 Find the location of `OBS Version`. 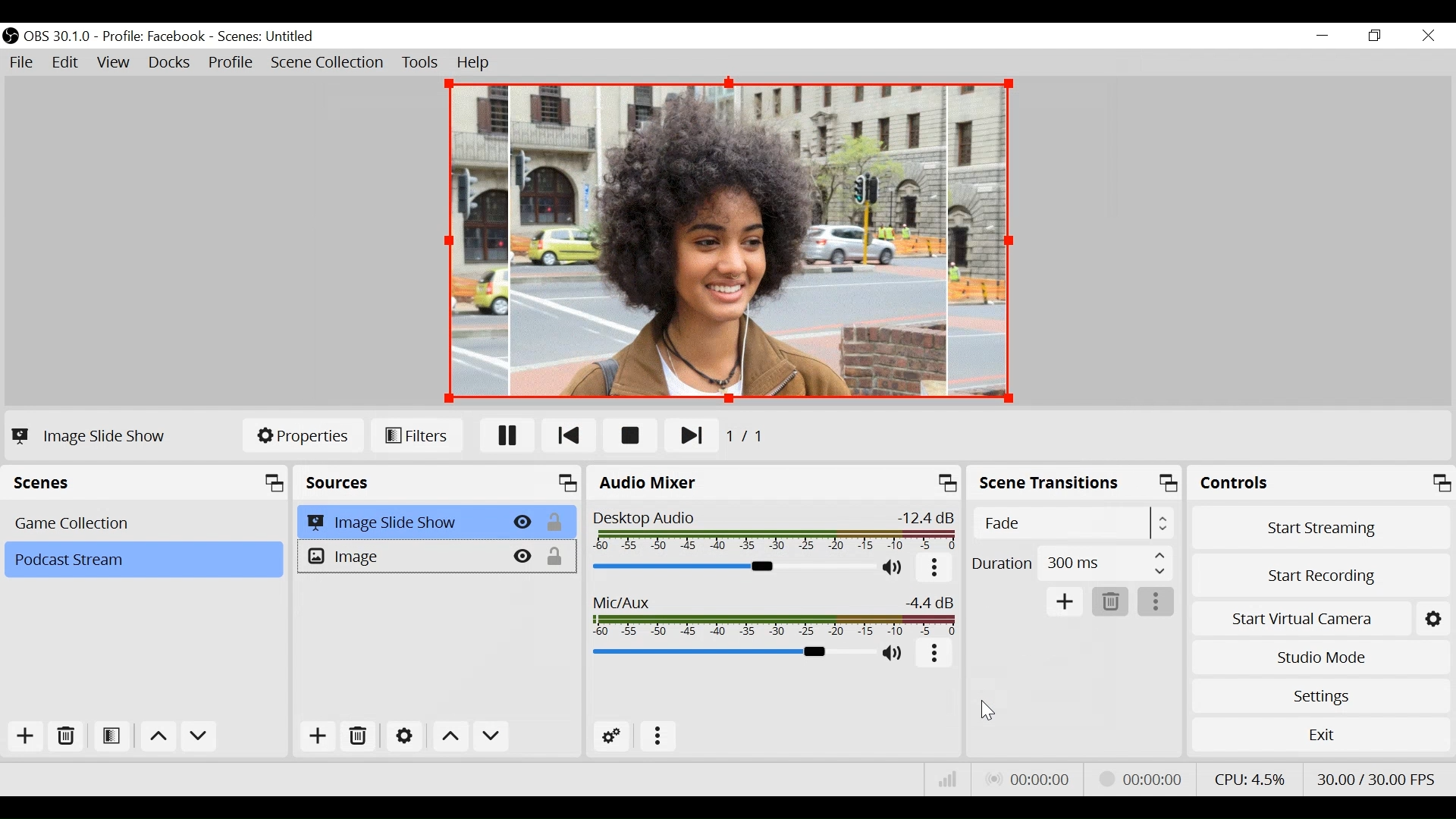

OBS Version is located at coordinates (60, 36).